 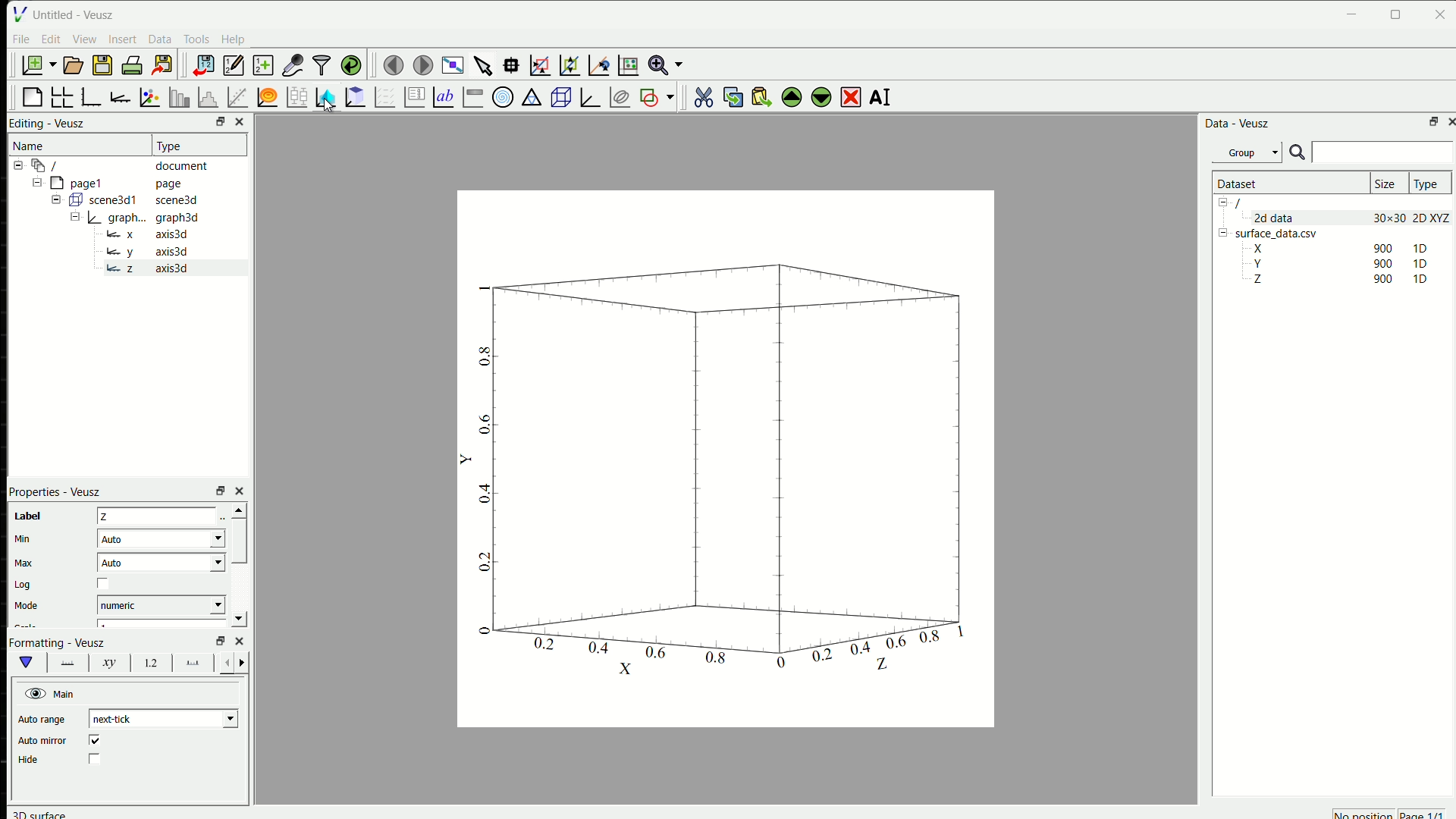 What do you see at coordinates (571, 64) in the screenshot?
I see `click to zoom out of a graph axes` at bounding box center [571, 64].